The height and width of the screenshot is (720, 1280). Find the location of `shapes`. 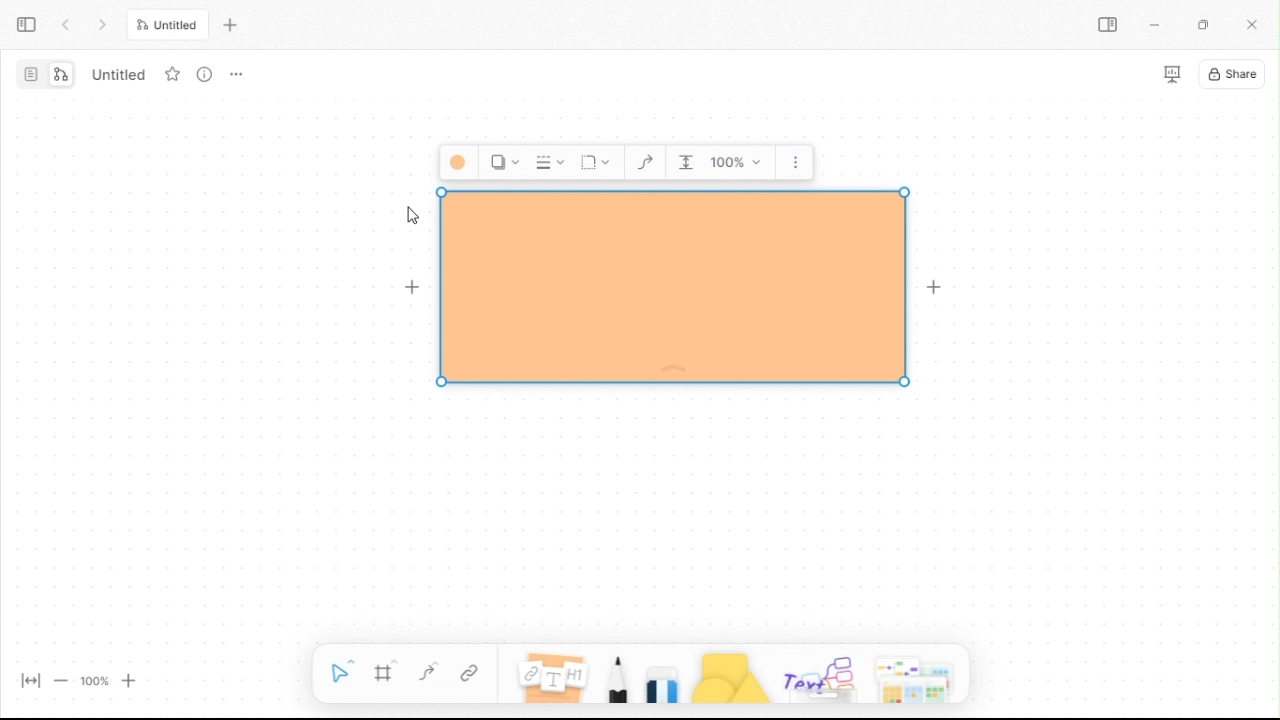

shapes is located at coordinates (730, 676).